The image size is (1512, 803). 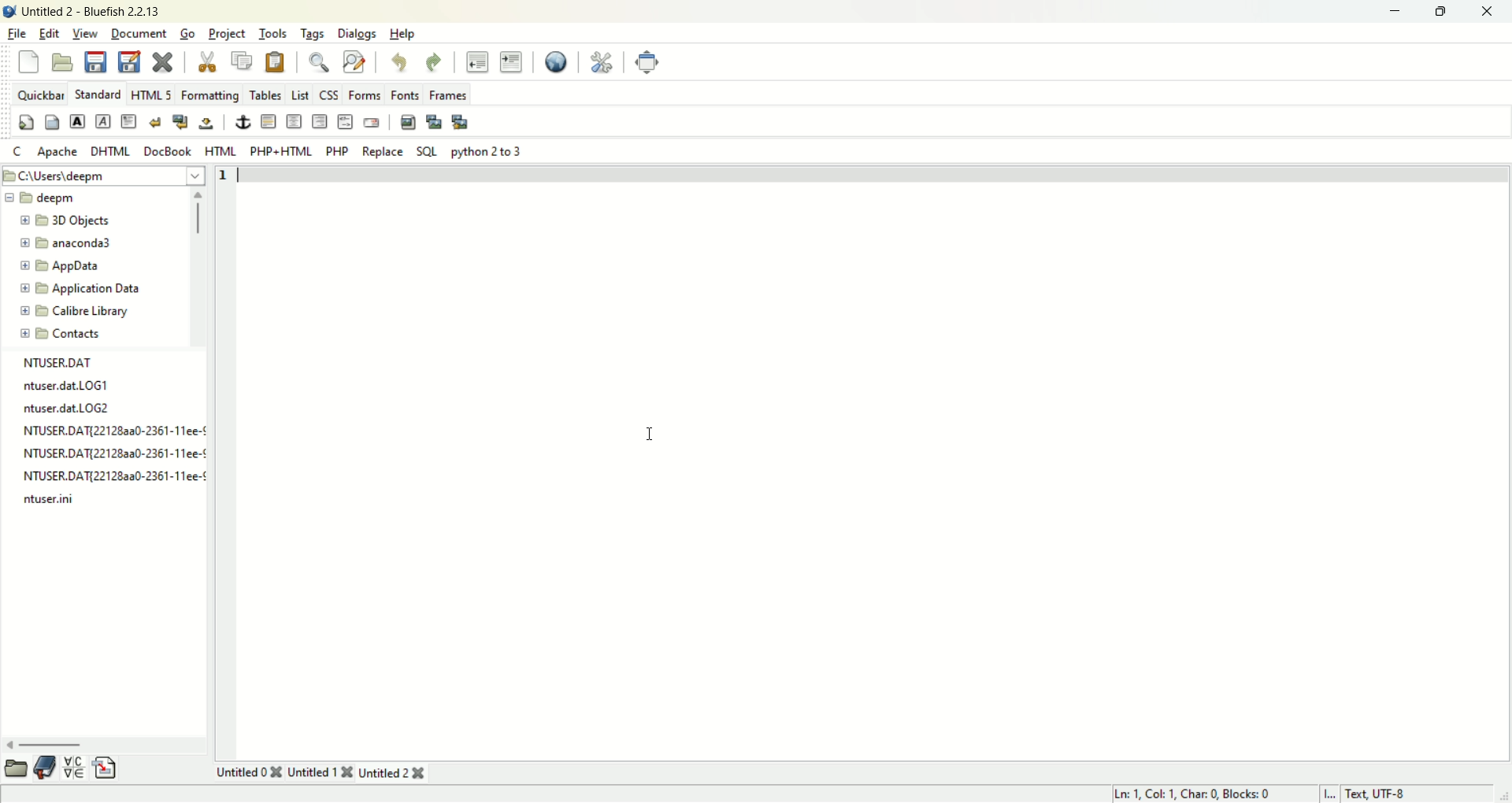 What do you see at coordinates (57, 152) in the screenshot?
I see `APACHE` at bounding box center [57, 152].